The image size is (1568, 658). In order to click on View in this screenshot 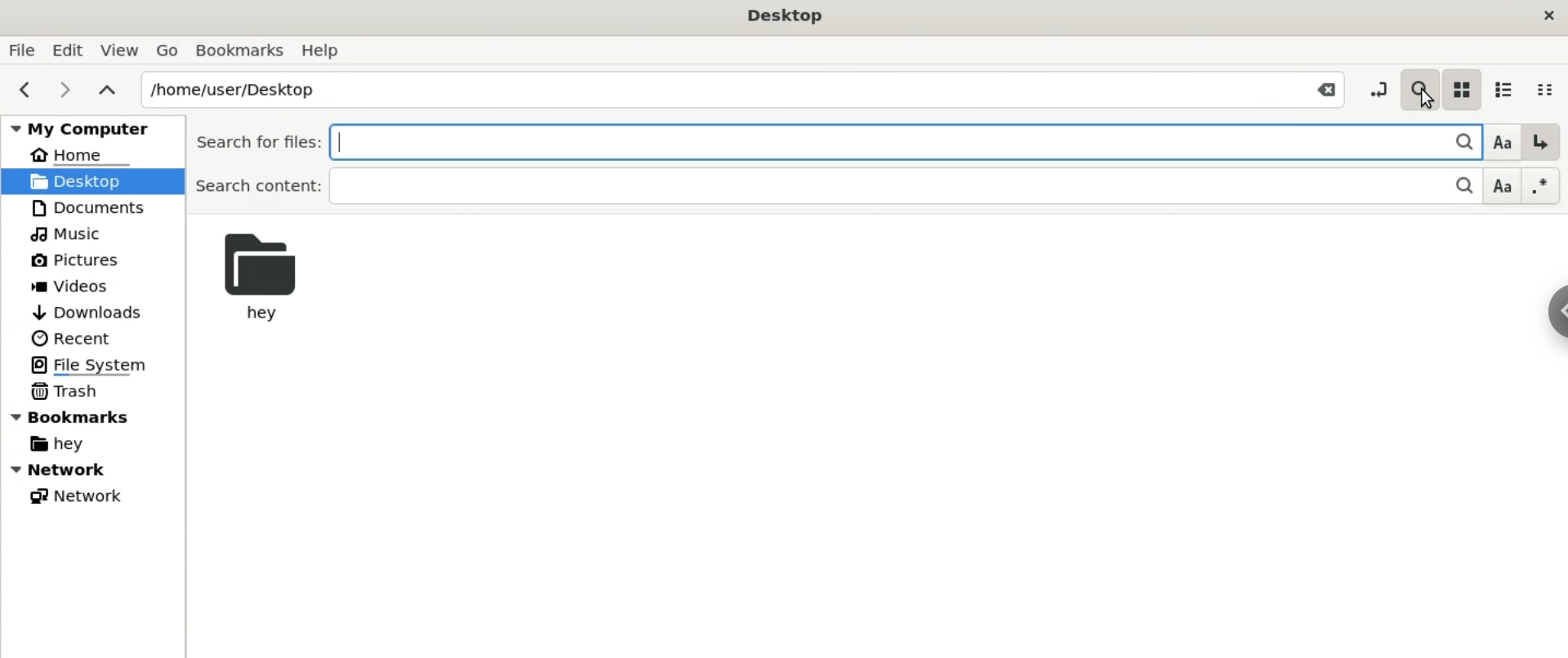, I will do `click(119, 47)`.